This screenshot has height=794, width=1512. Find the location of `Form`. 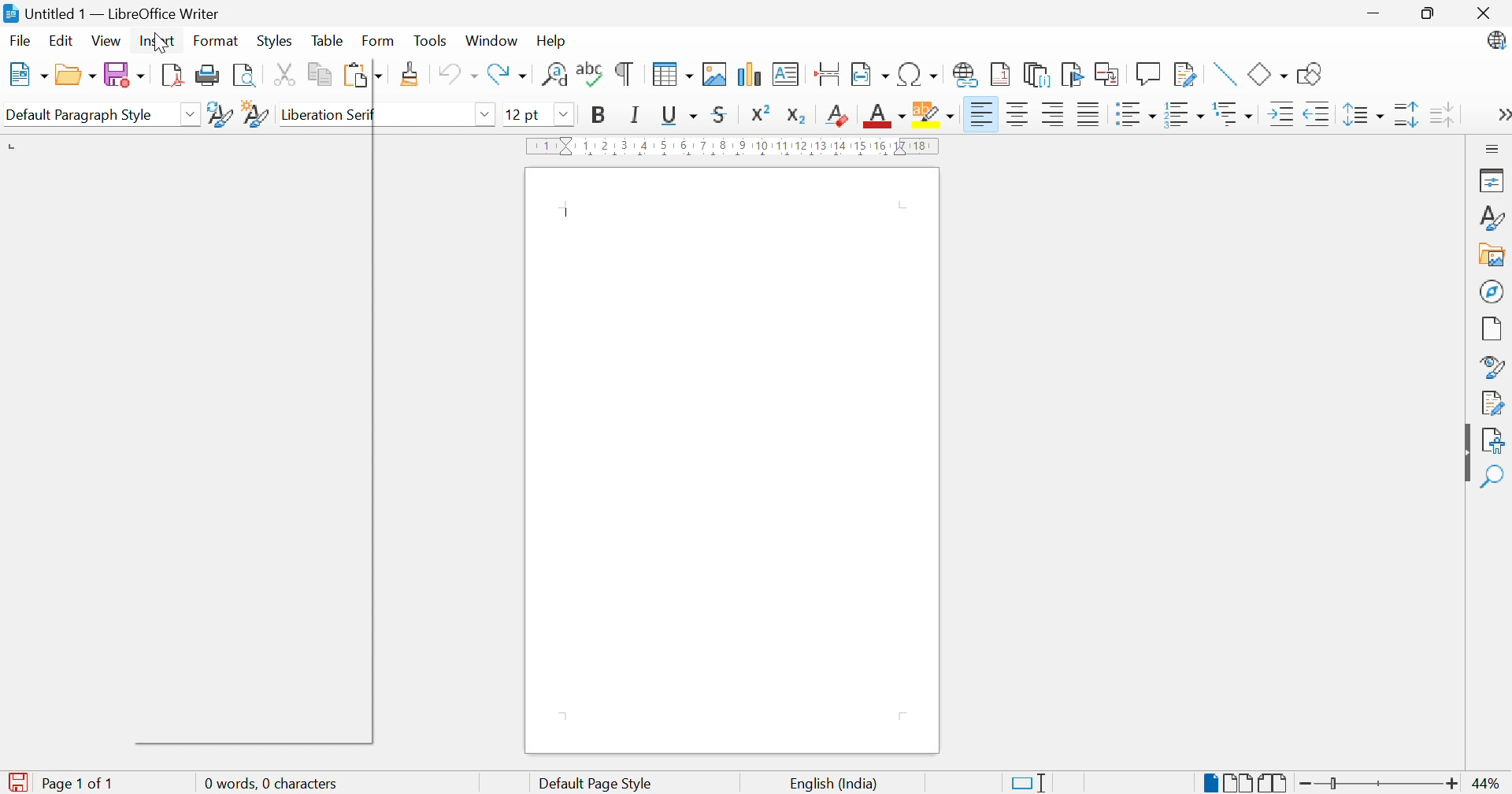

Form is located at coordinates (377, 41).